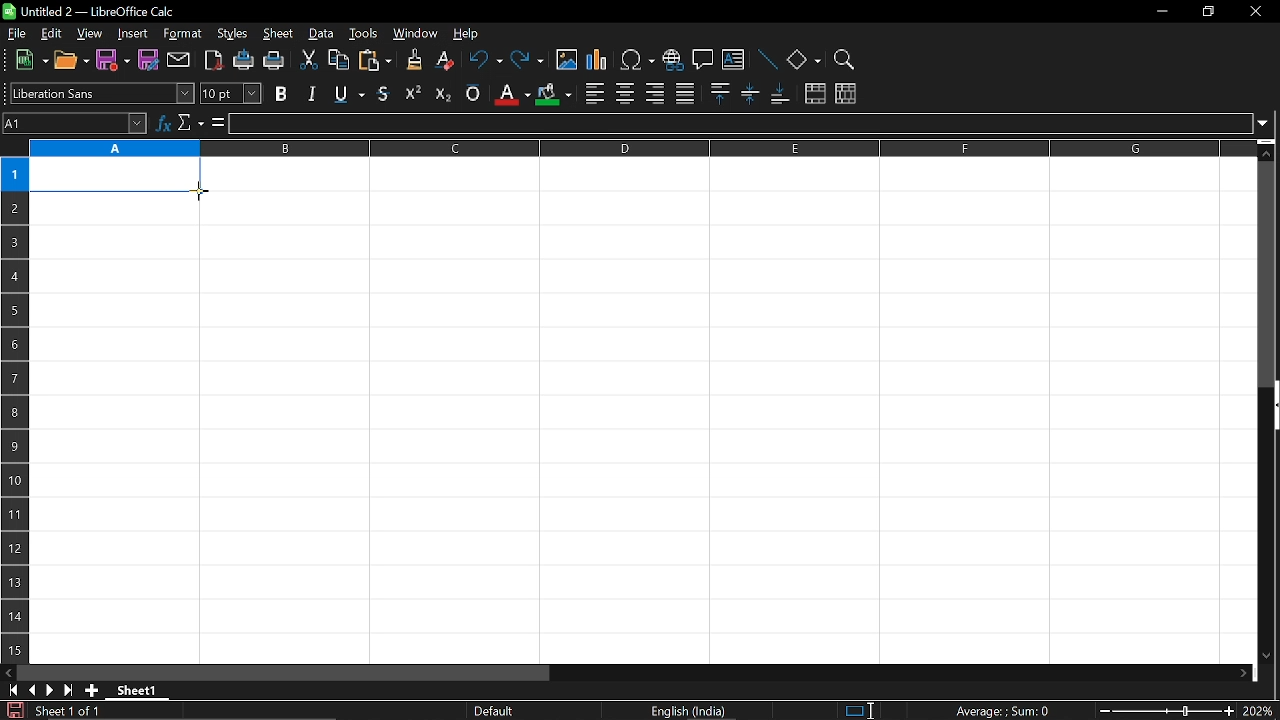  Describe the element at coordinates (48, 690) in the screenshot. I see `next sheet` at that location.